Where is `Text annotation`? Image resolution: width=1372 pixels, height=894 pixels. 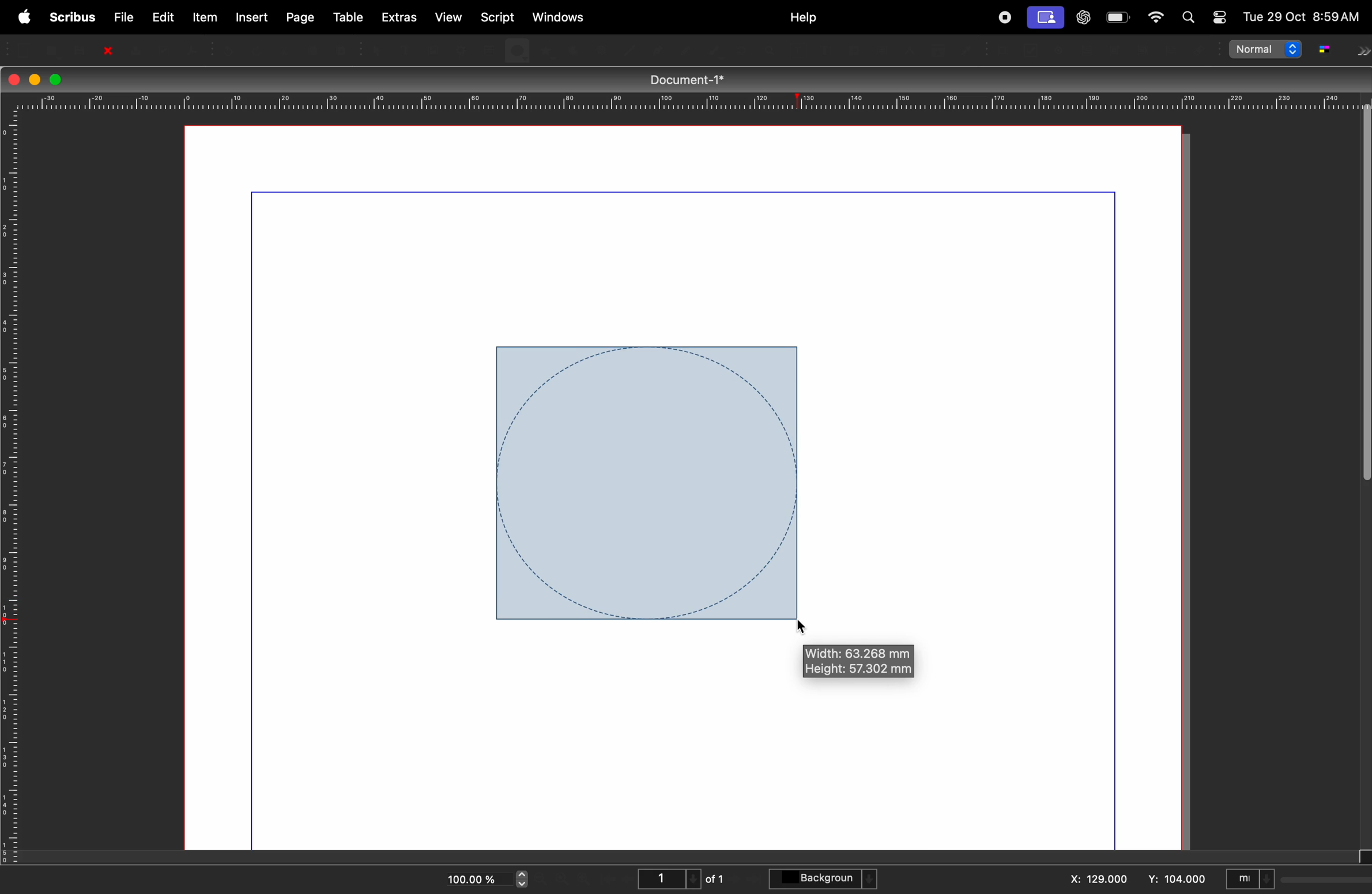
Text annotation is located at coordinates (1173, 51).